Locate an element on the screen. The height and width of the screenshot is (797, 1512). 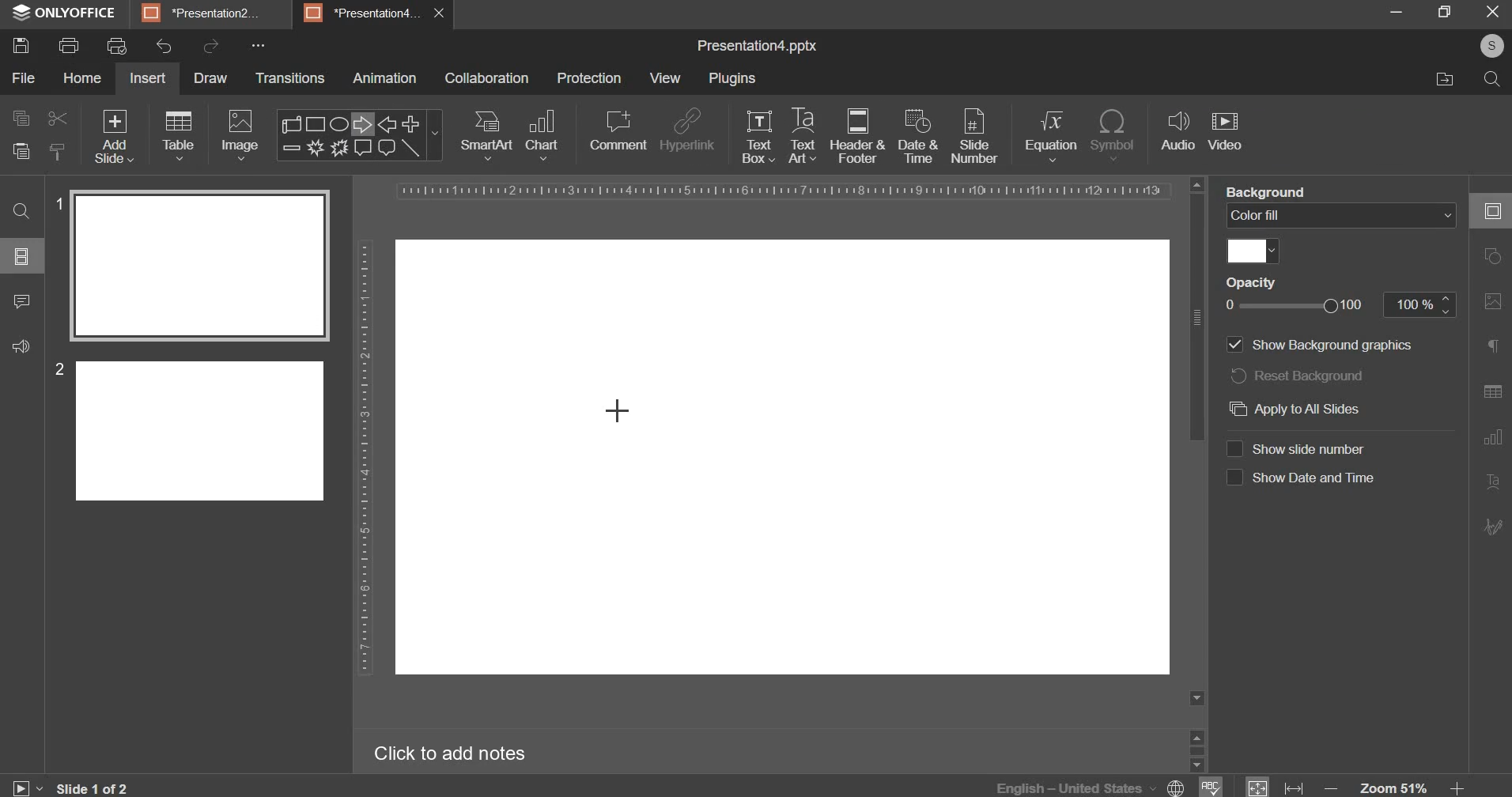
slide 1 is located at coordinates (186, 264).